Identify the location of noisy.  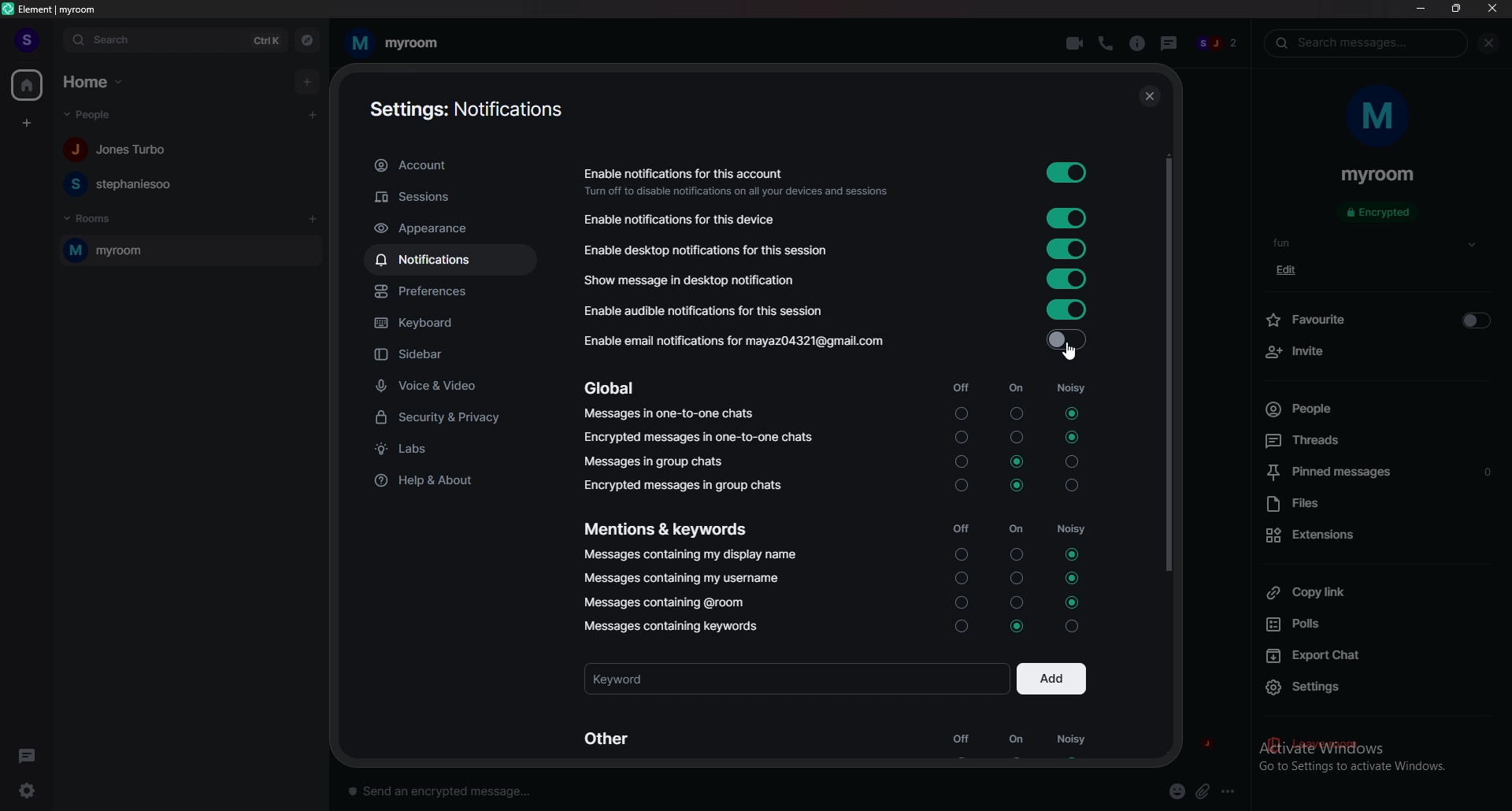
(1071, 505).